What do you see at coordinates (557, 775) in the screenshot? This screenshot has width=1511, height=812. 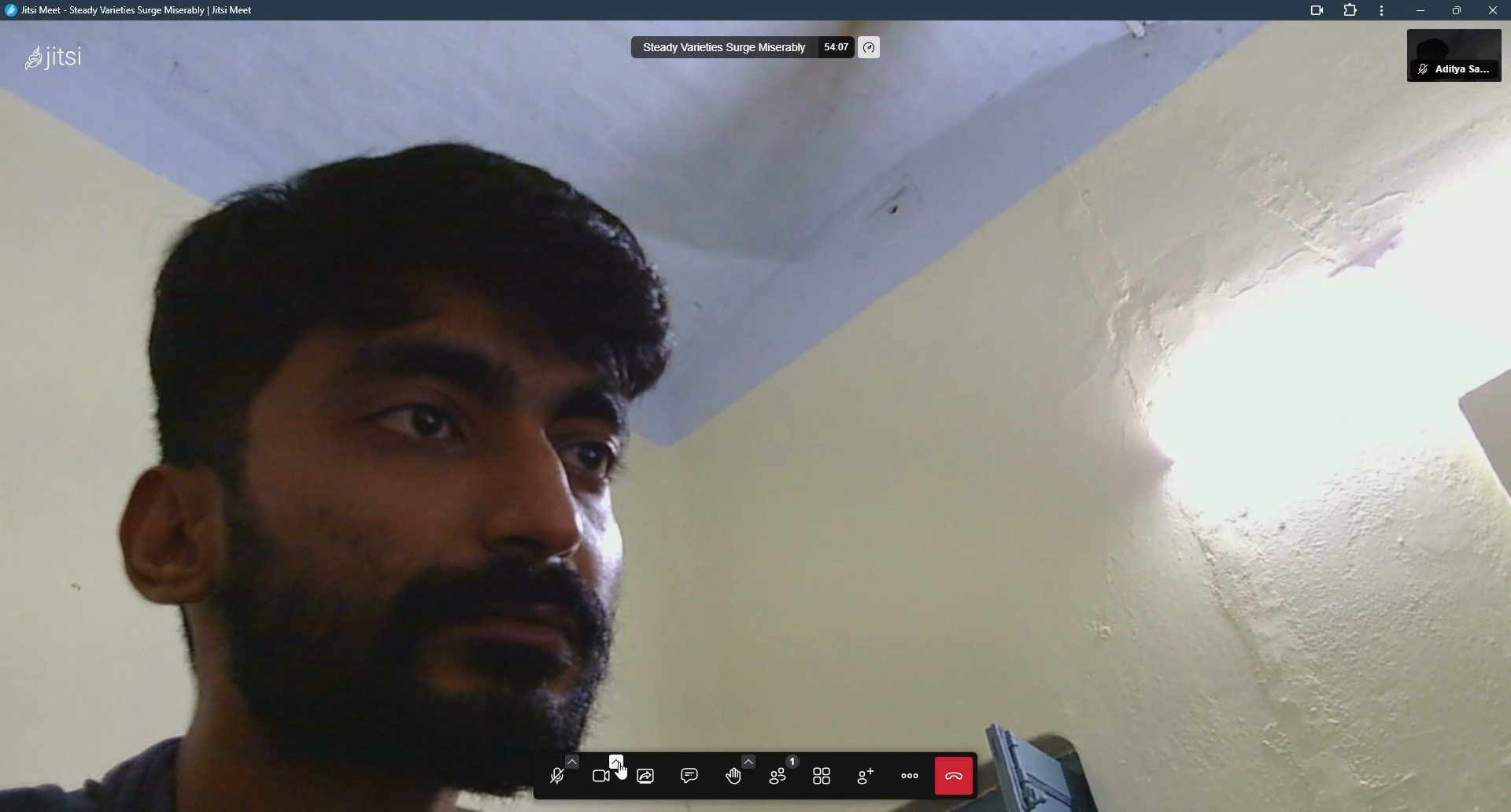 I see `open mic` at bounding box center [557, 775].